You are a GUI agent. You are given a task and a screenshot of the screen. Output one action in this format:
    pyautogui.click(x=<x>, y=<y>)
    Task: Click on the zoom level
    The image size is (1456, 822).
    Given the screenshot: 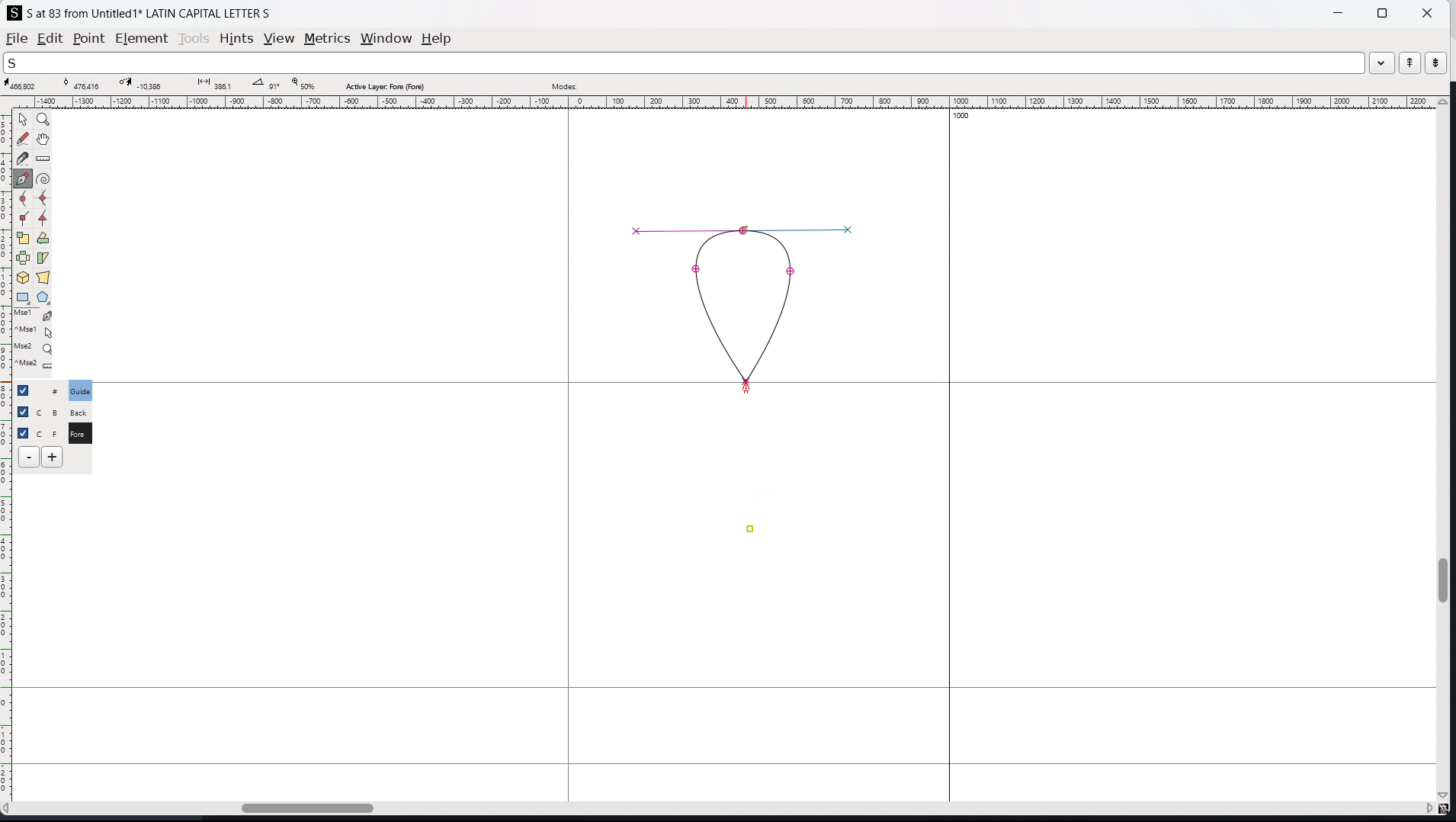 What is the action you would take?
    pyautogui.click(x=303, y=85)
    